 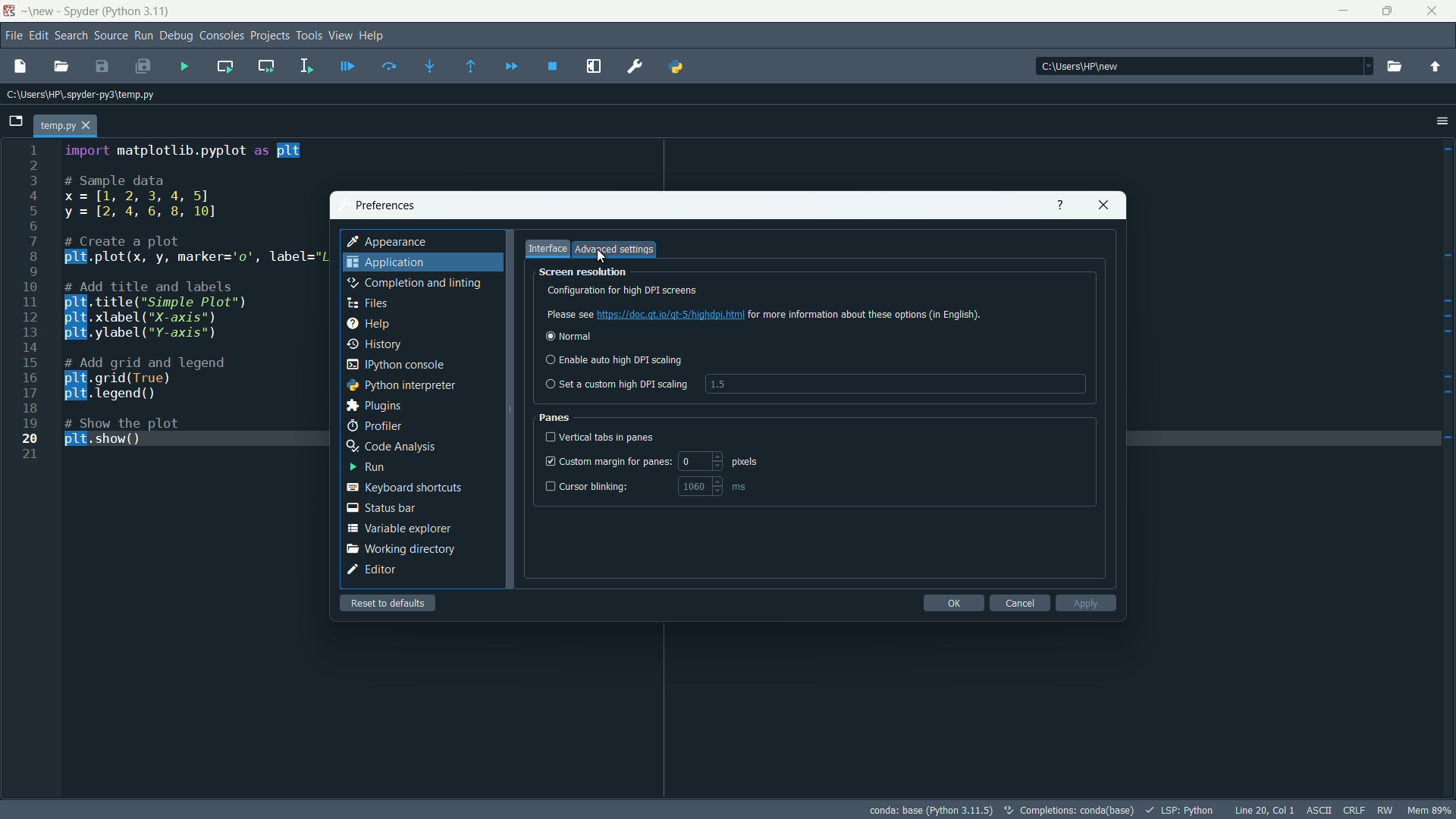 What do you see at coordinates (111, 35) in the screenshot?
I see `source` at bounding box center [111, 35].